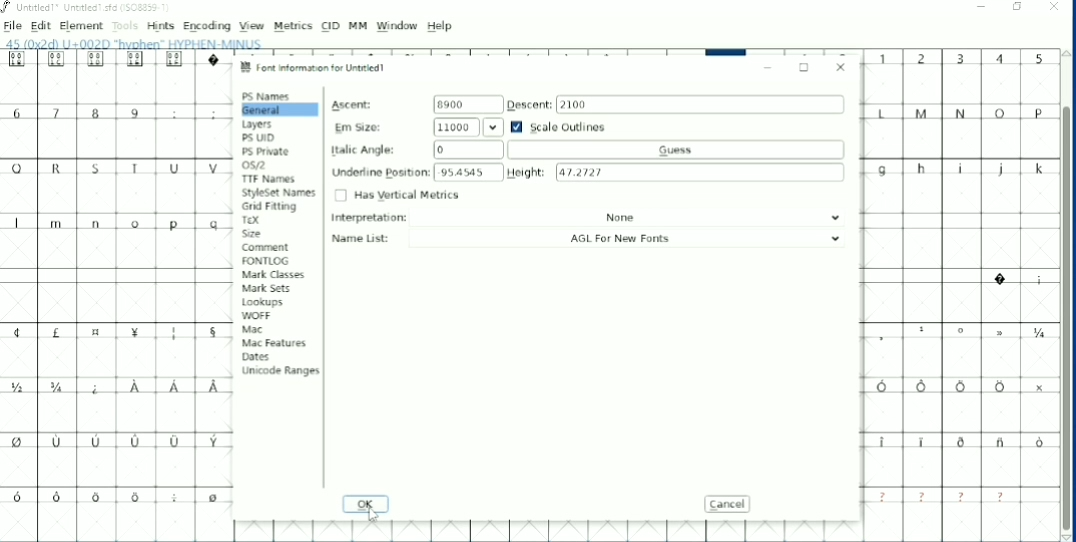 This screenshot has height=542, width=1076. What do you see at coordinates (275, 274) in the screenshot?
I see `Mark Classes` at bounding box center [275, 274].